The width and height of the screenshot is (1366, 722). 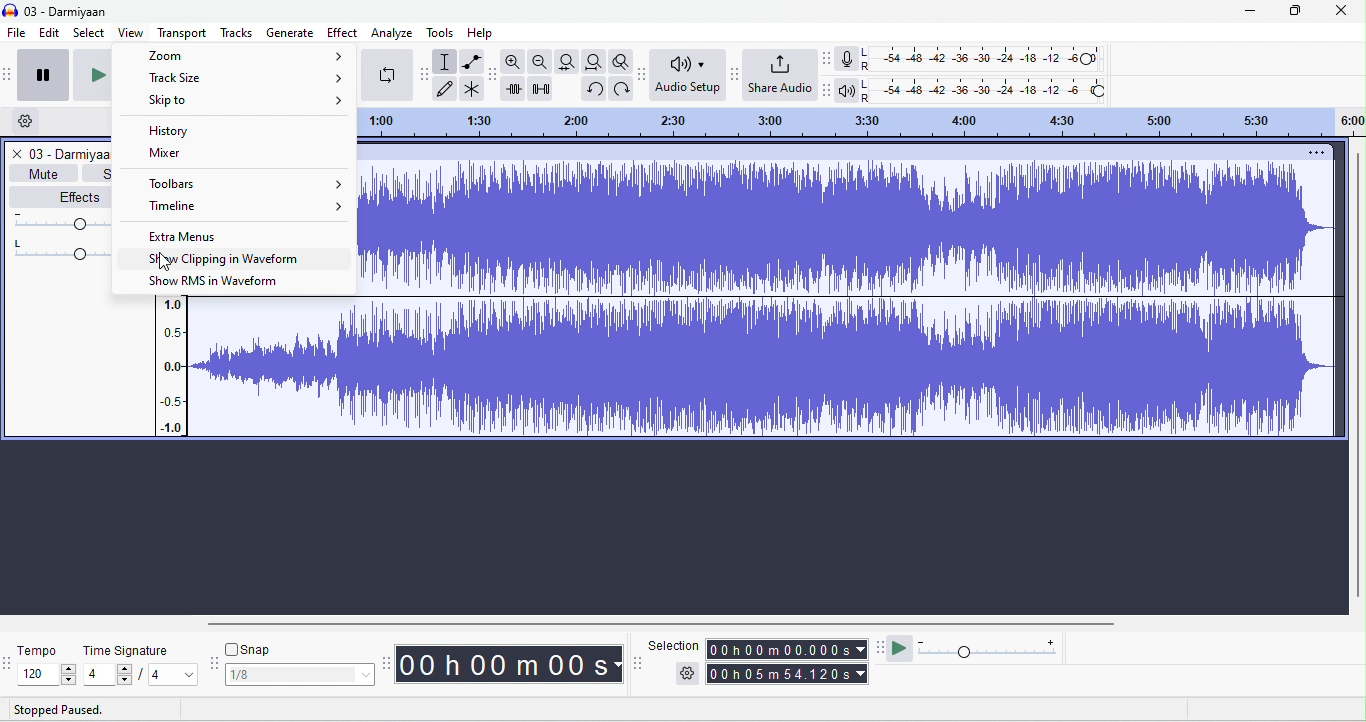 I want to click on snap, so click(x=257, y=648).